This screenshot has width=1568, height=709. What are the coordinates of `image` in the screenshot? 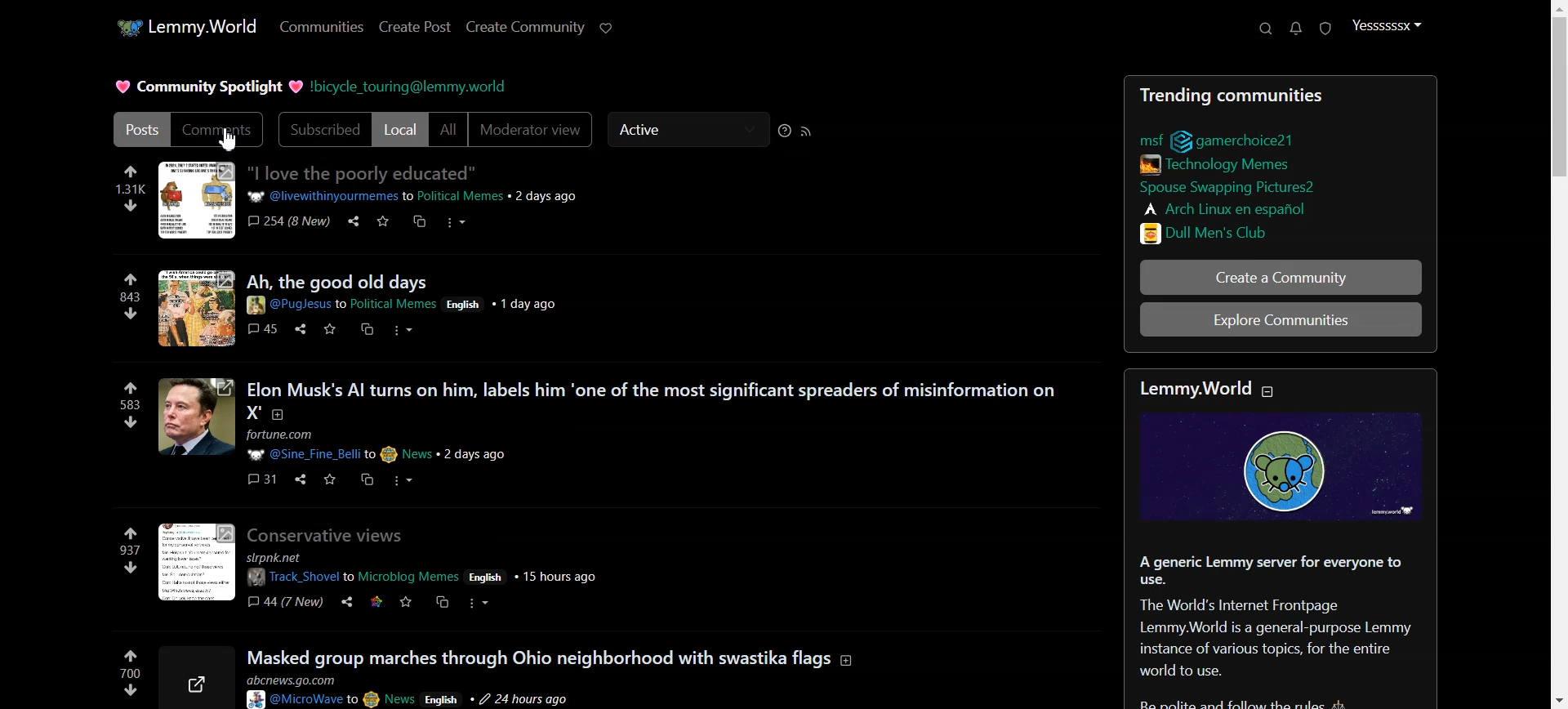 It's located at (194, 562).